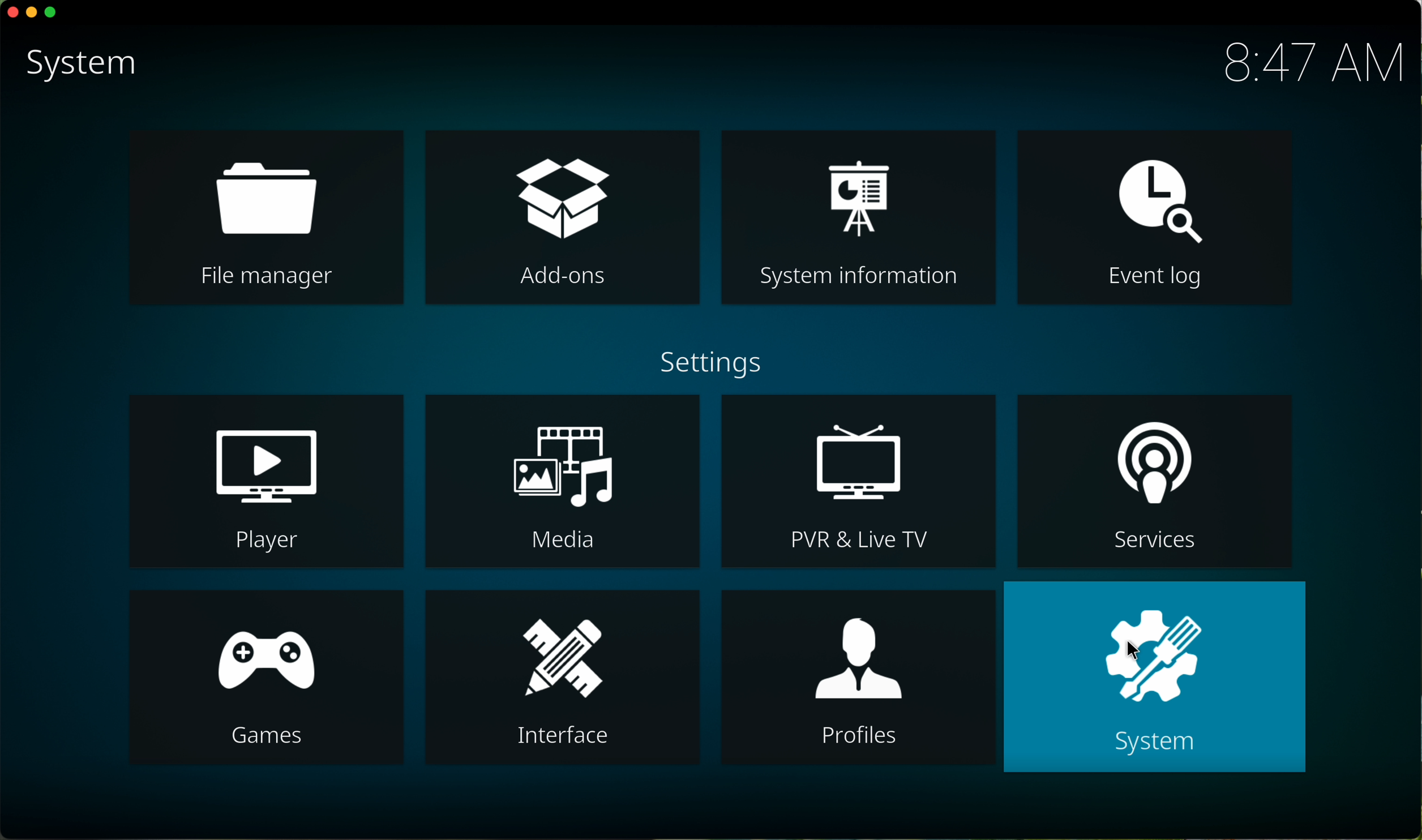  What do you see at coordinates (52, 14) in the screenshot?
I see `maximize program` at bounding box center [52, 14].